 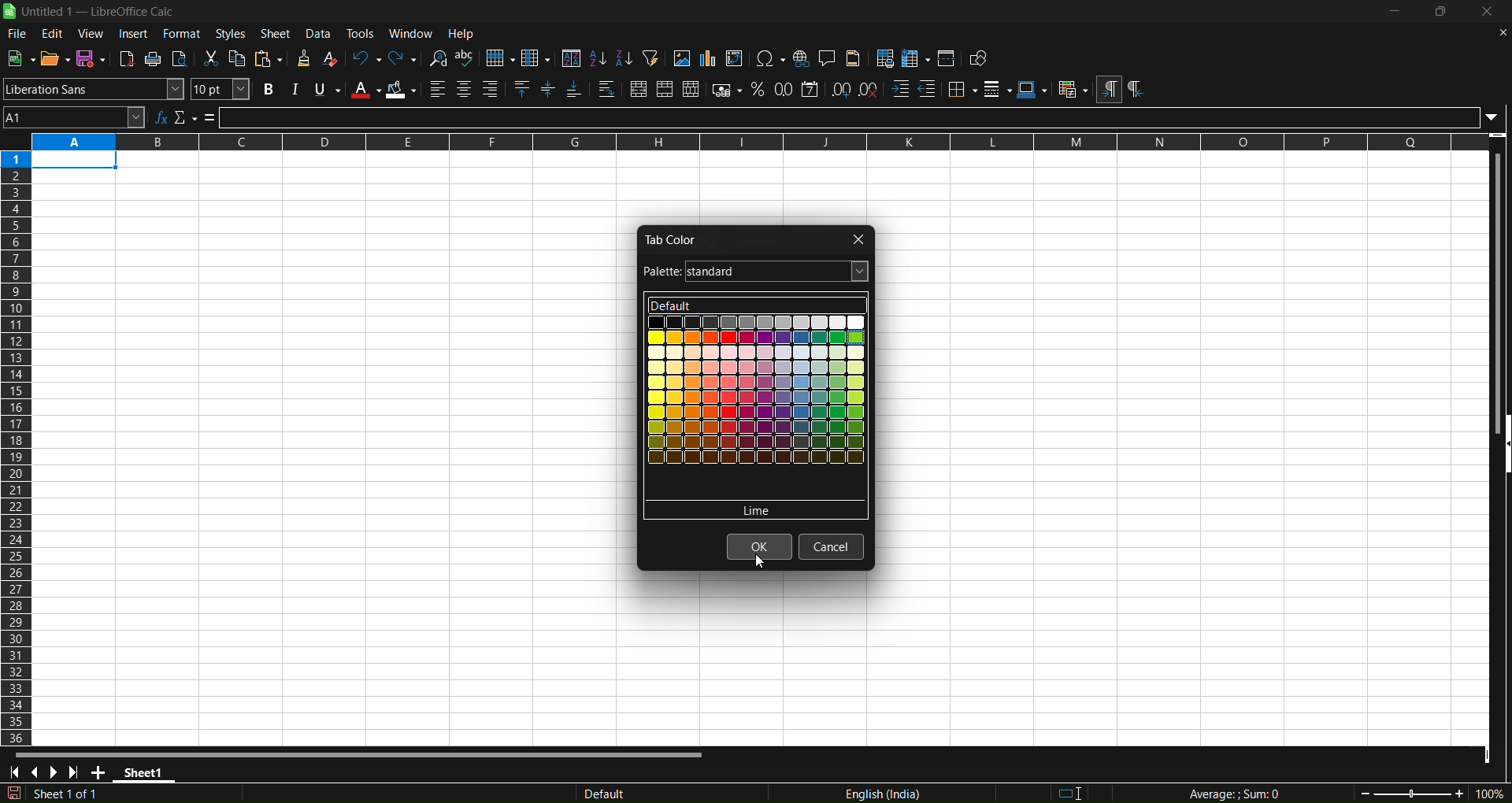 I want to click on save, so click(x=91, y=58).